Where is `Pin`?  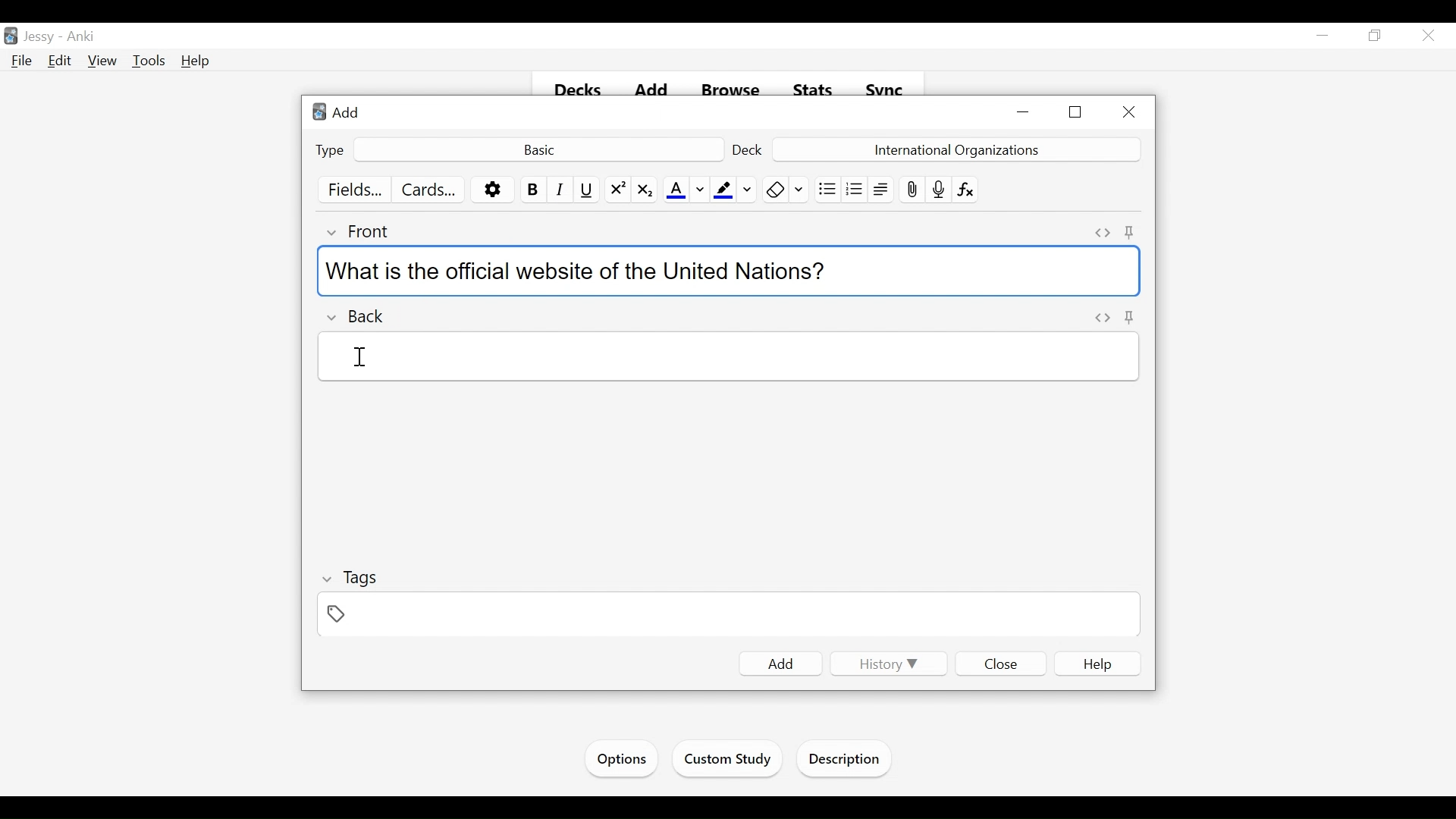 Pin is located at coordinates (1131, 318).